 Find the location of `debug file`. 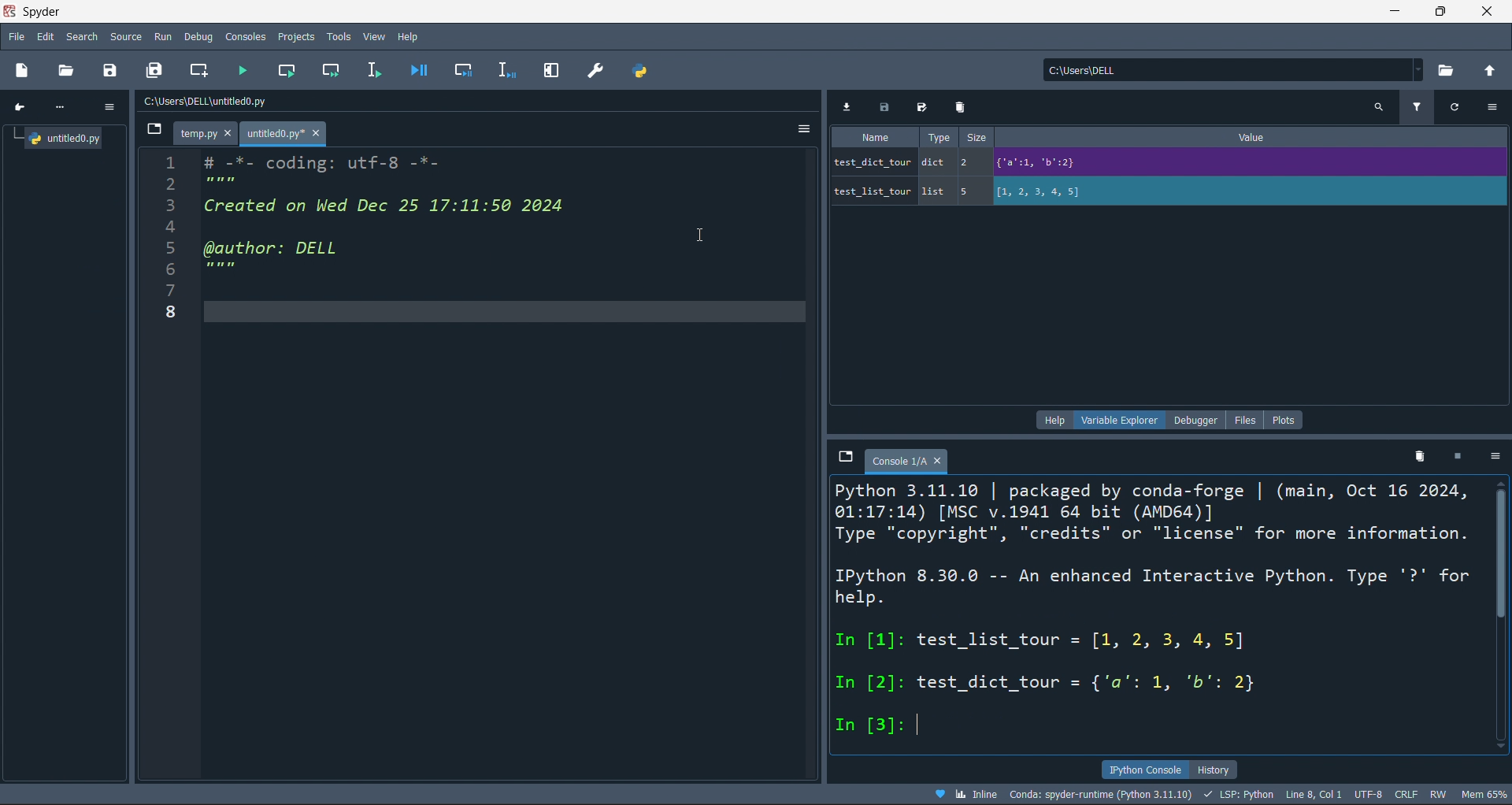

debug file is located at coordinates (419, 70).